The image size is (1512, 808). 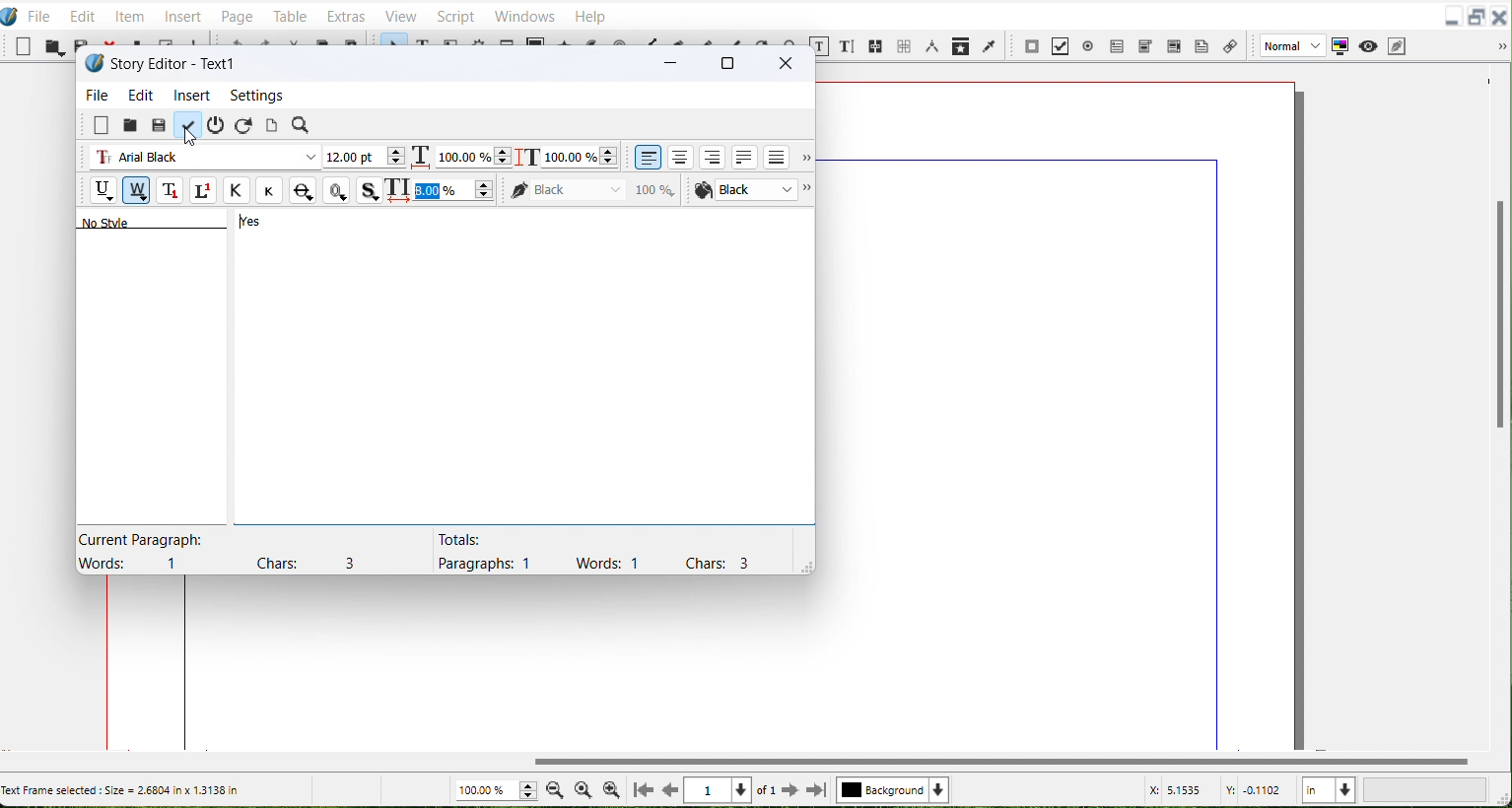 What do you see at coordinates (806, 156) in the screenshot?
I see `More` at bounding box center [806, 156].